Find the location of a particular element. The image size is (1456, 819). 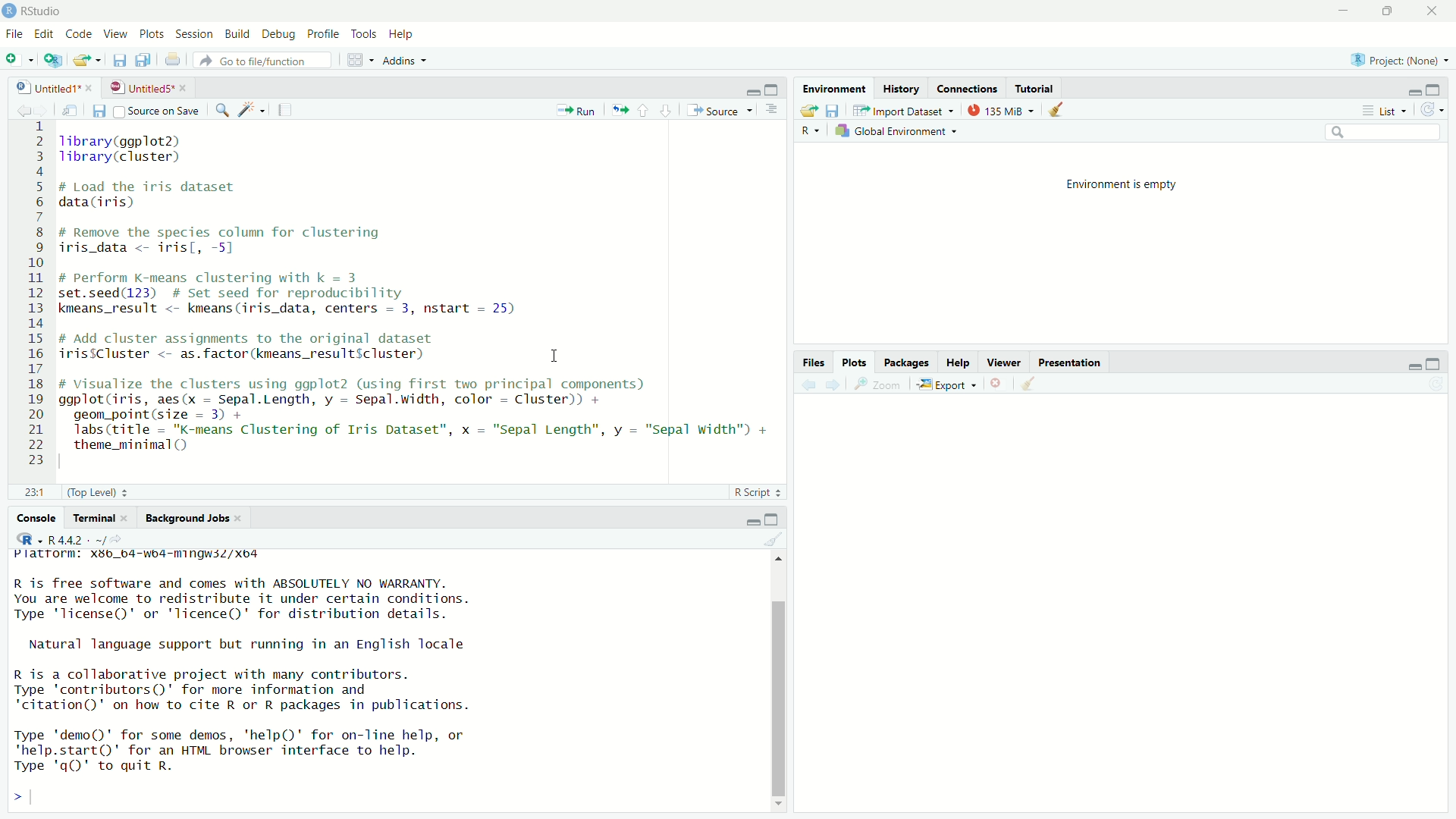

print the current file is located at coordinates (173, 61).